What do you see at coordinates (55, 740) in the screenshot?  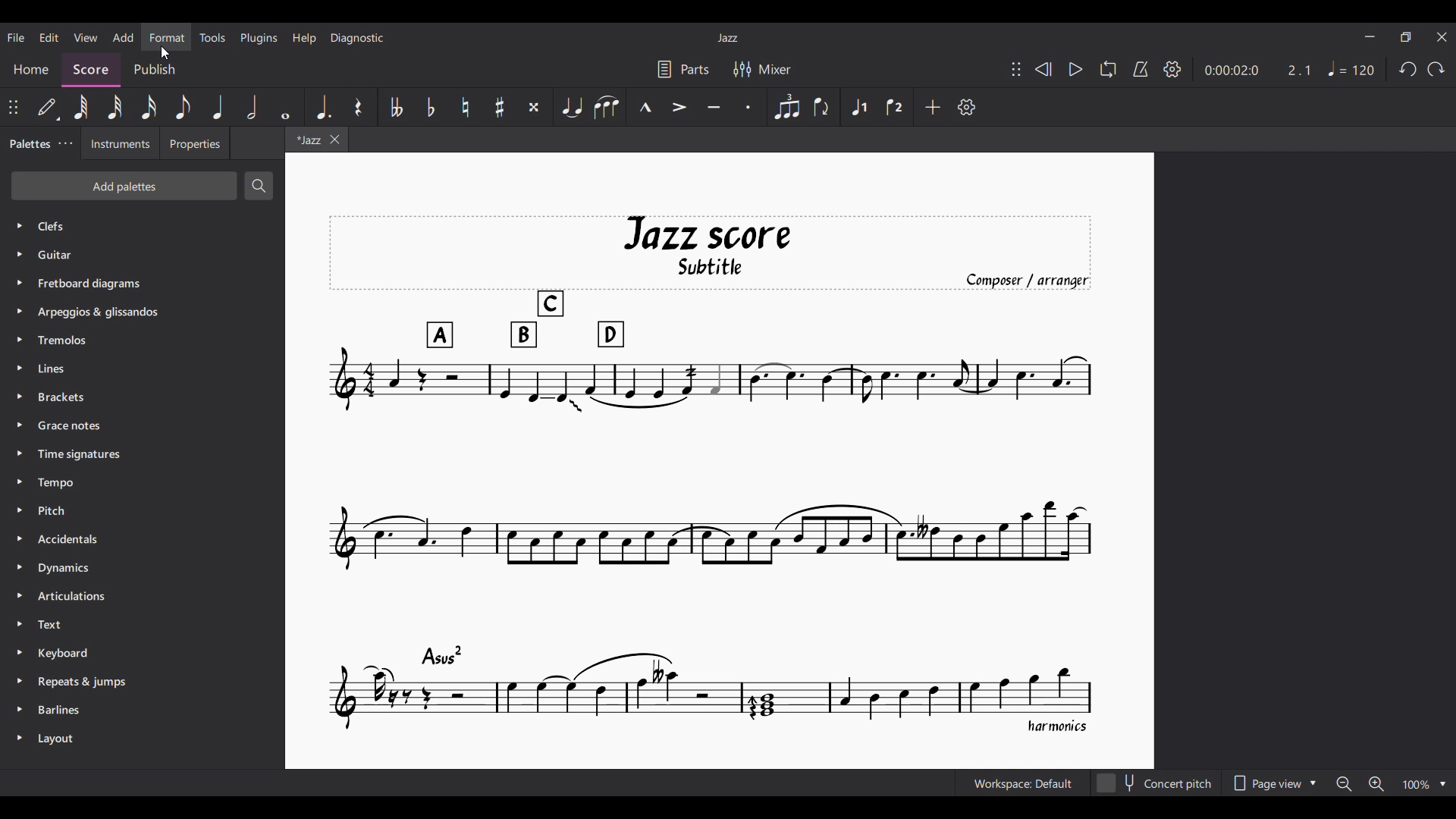 I see `Layout` at bounding box center [55, 740].